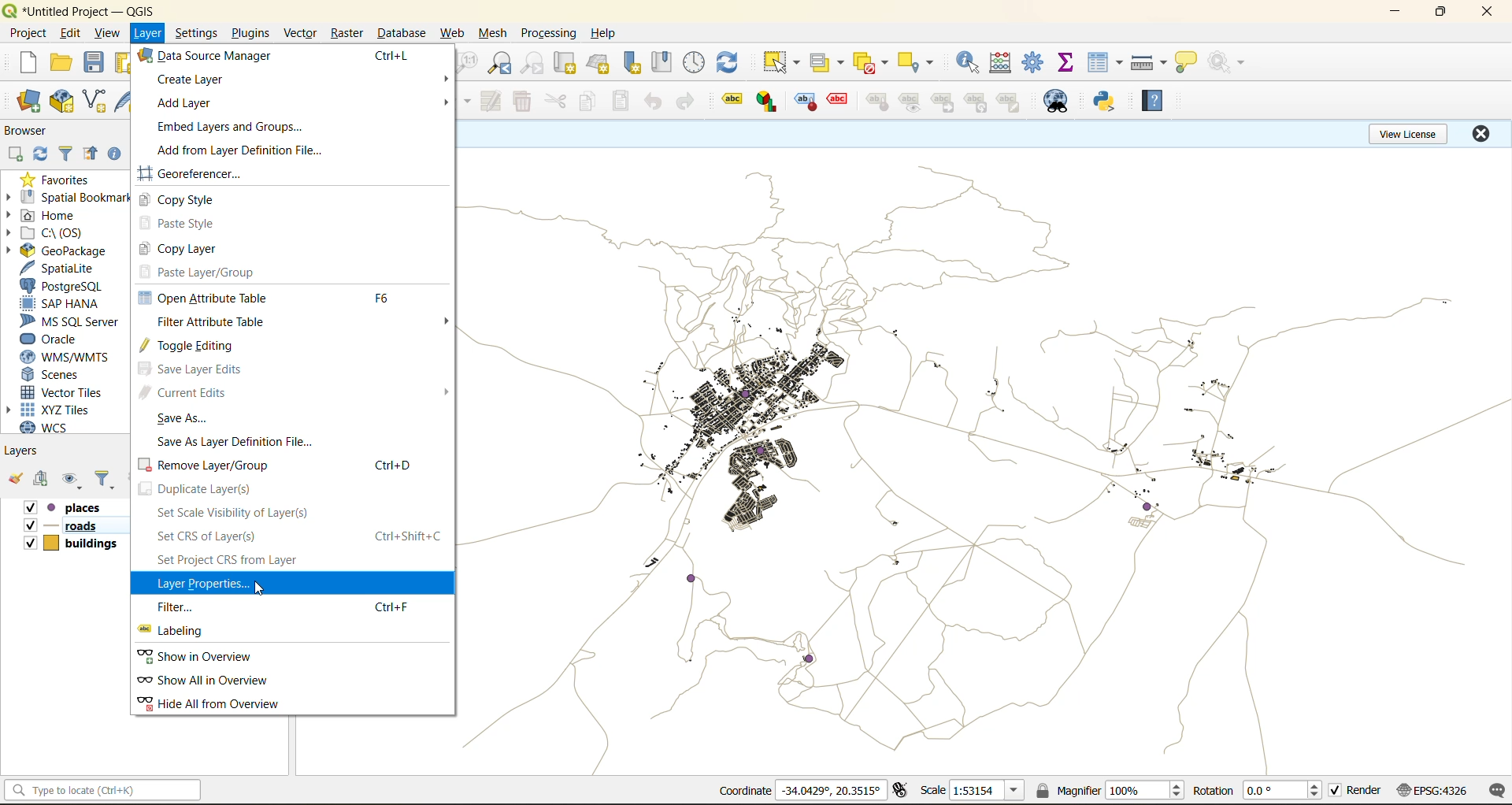 The width and height of the screenshot is (1512, 805). Describe the element at coordinates (306, 322) in the screenshot. I see `filter attribute table` at that location.